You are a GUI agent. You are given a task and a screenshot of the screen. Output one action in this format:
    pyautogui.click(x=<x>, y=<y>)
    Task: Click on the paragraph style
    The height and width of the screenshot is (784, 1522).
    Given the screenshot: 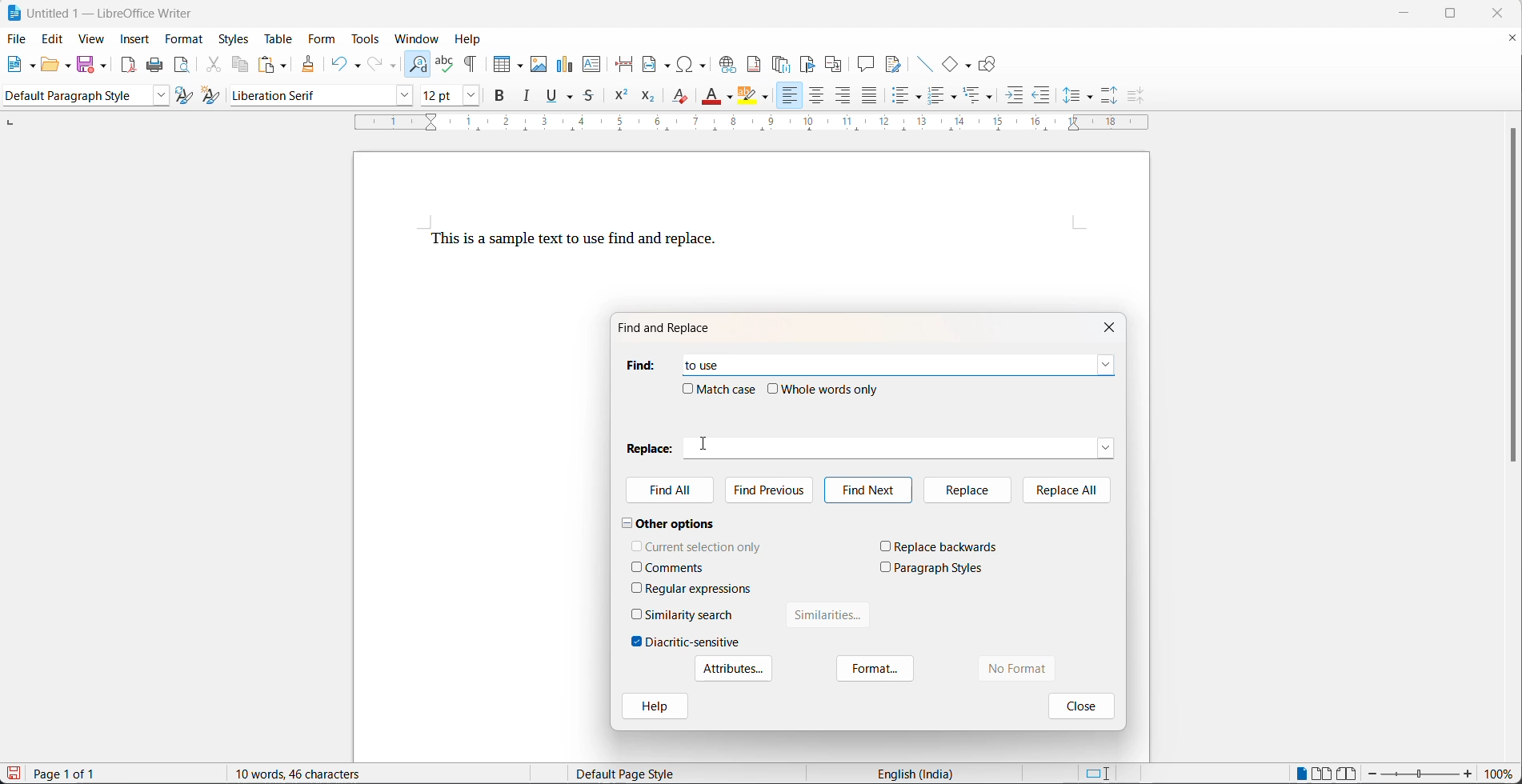 What is the action you would take?
    pyautogui.click(x=73, y=96)
    